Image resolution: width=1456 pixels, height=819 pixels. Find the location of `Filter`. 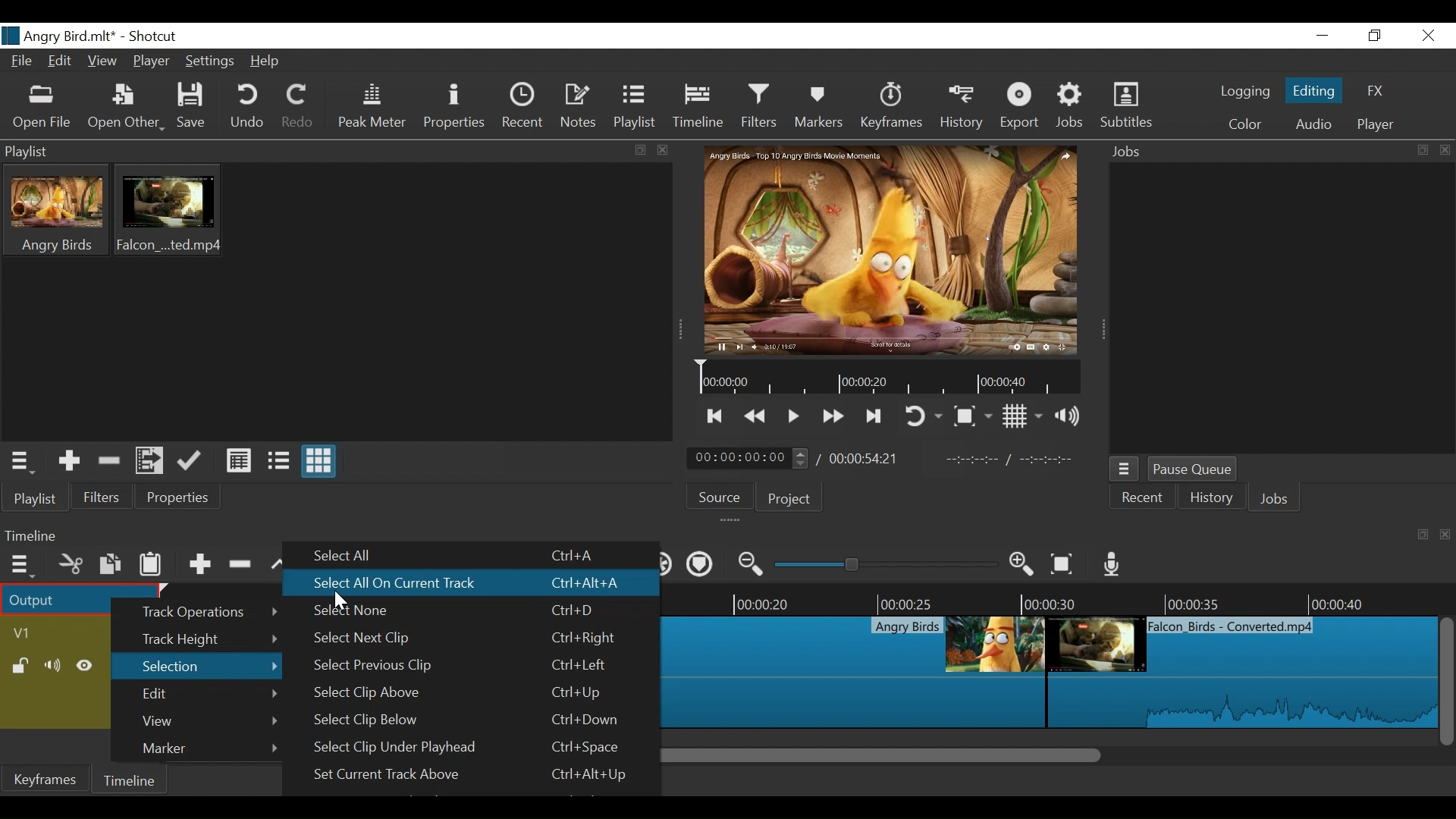

Filter is located at coordinates (102, 497).